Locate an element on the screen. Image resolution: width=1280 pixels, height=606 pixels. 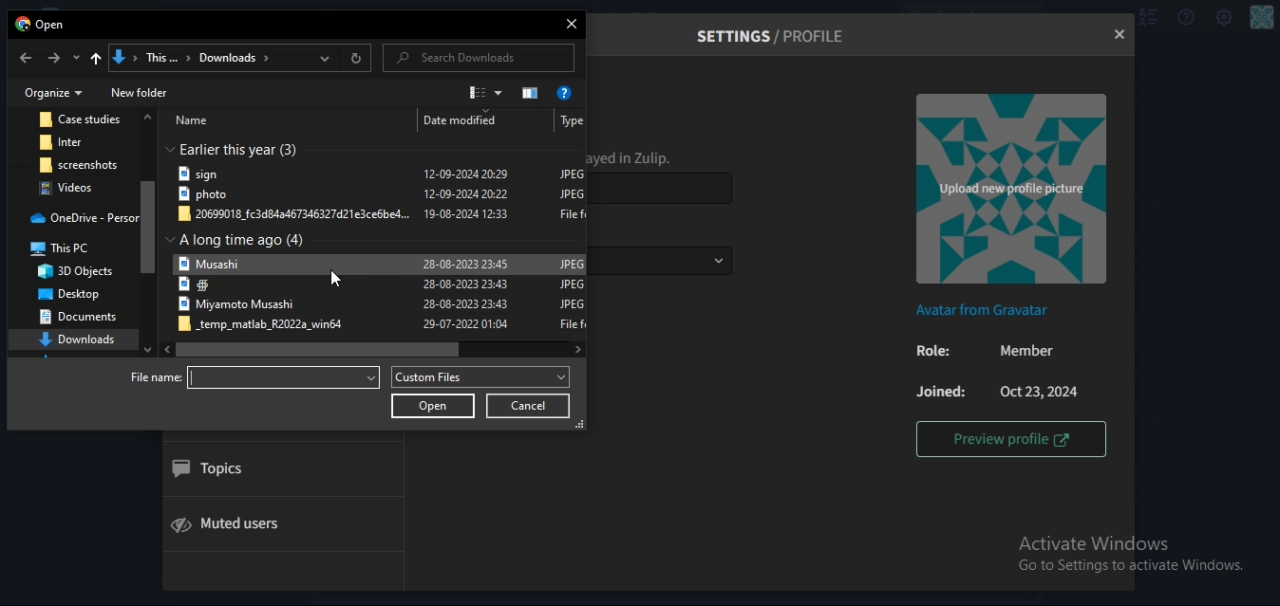
scrollbar is located at coordinates (318, 349).